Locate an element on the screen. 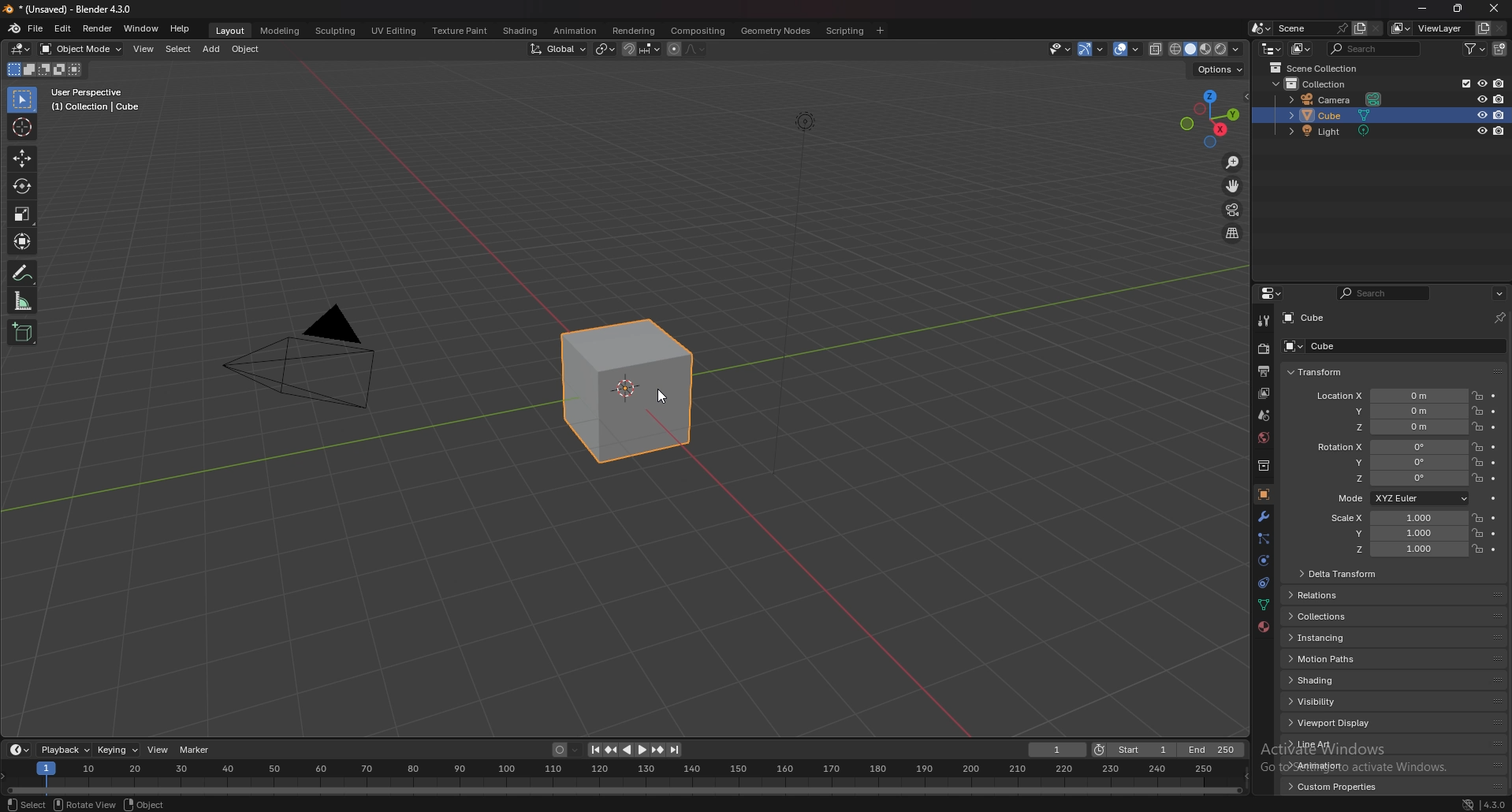 The image size is (1512, 812). rotation z is located at coordinates (1389, 478).